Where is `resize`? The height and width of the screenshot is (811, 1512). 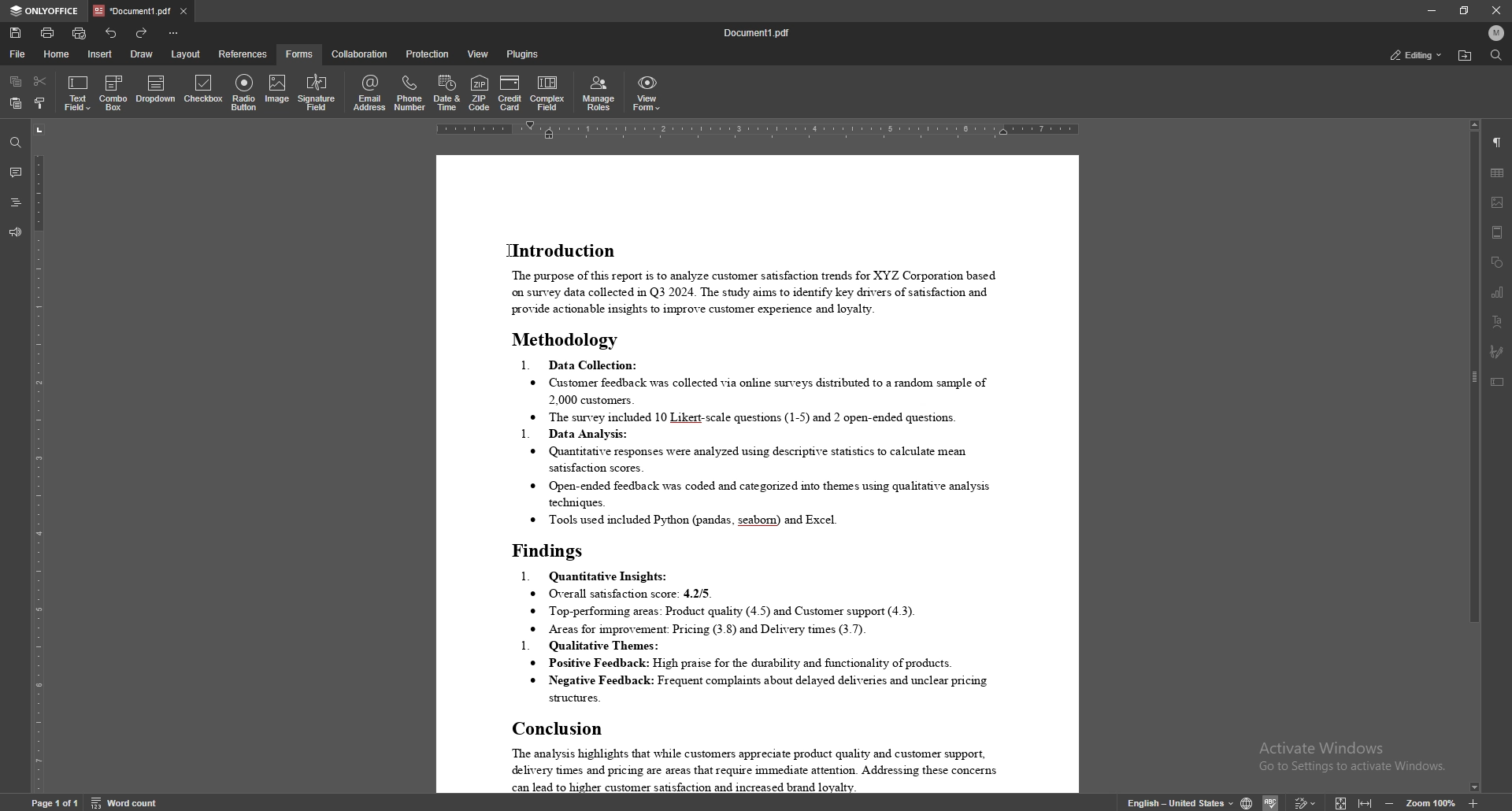 resize is located at coordinates (1463, 10).